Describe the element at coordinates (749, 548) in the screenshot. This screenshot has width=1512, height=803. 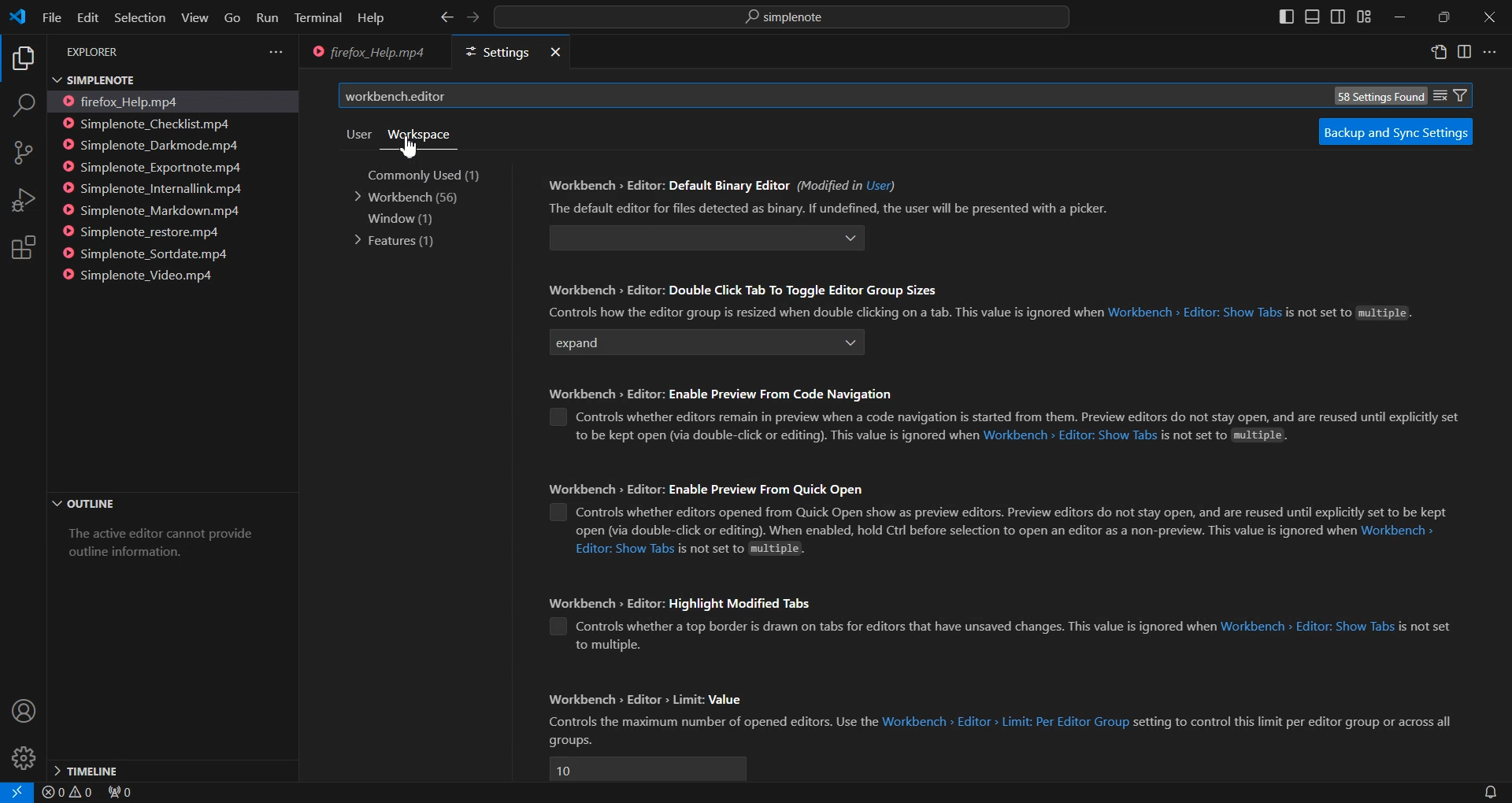
I see `is not set to multiple.` at that location.